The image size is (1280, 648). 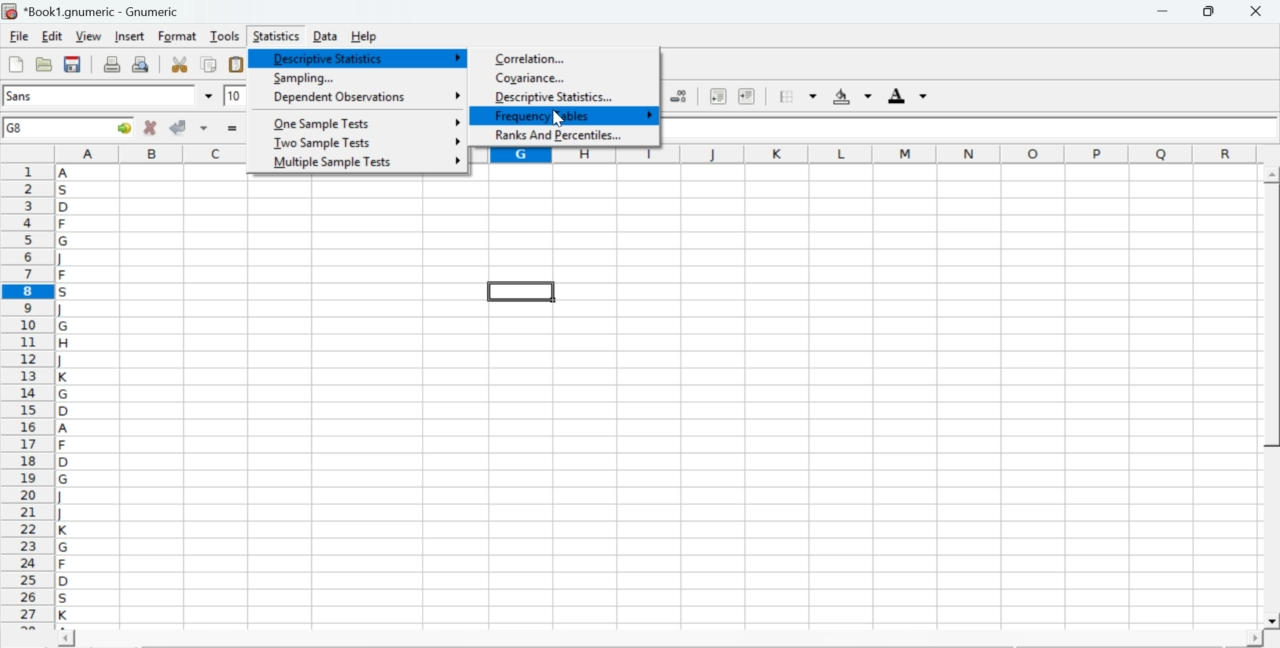 I want to click on application name, so click(x=94, y=9).